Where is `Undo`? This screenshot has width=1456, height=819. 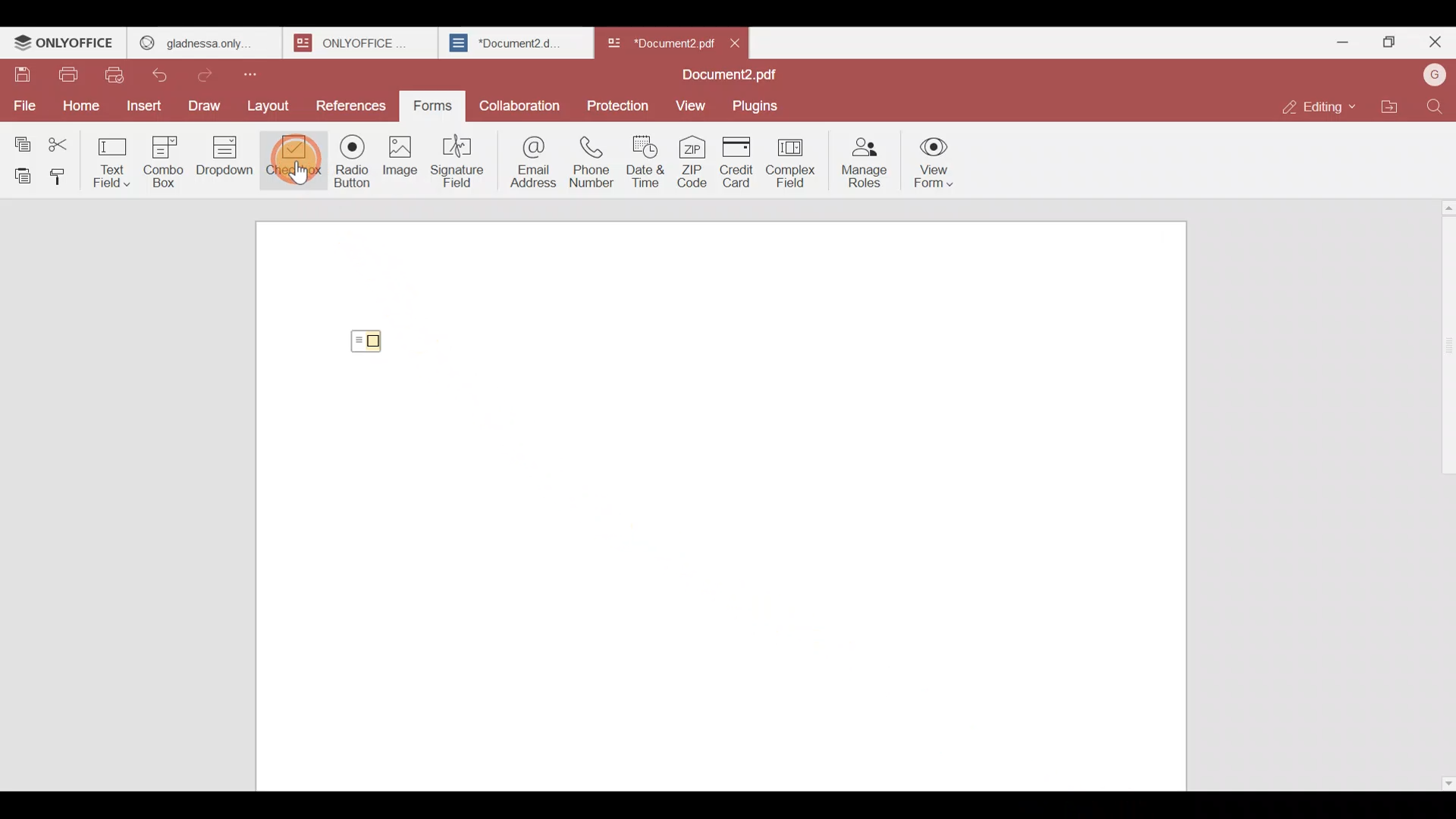
Undo is located at coordinates (167, 72).